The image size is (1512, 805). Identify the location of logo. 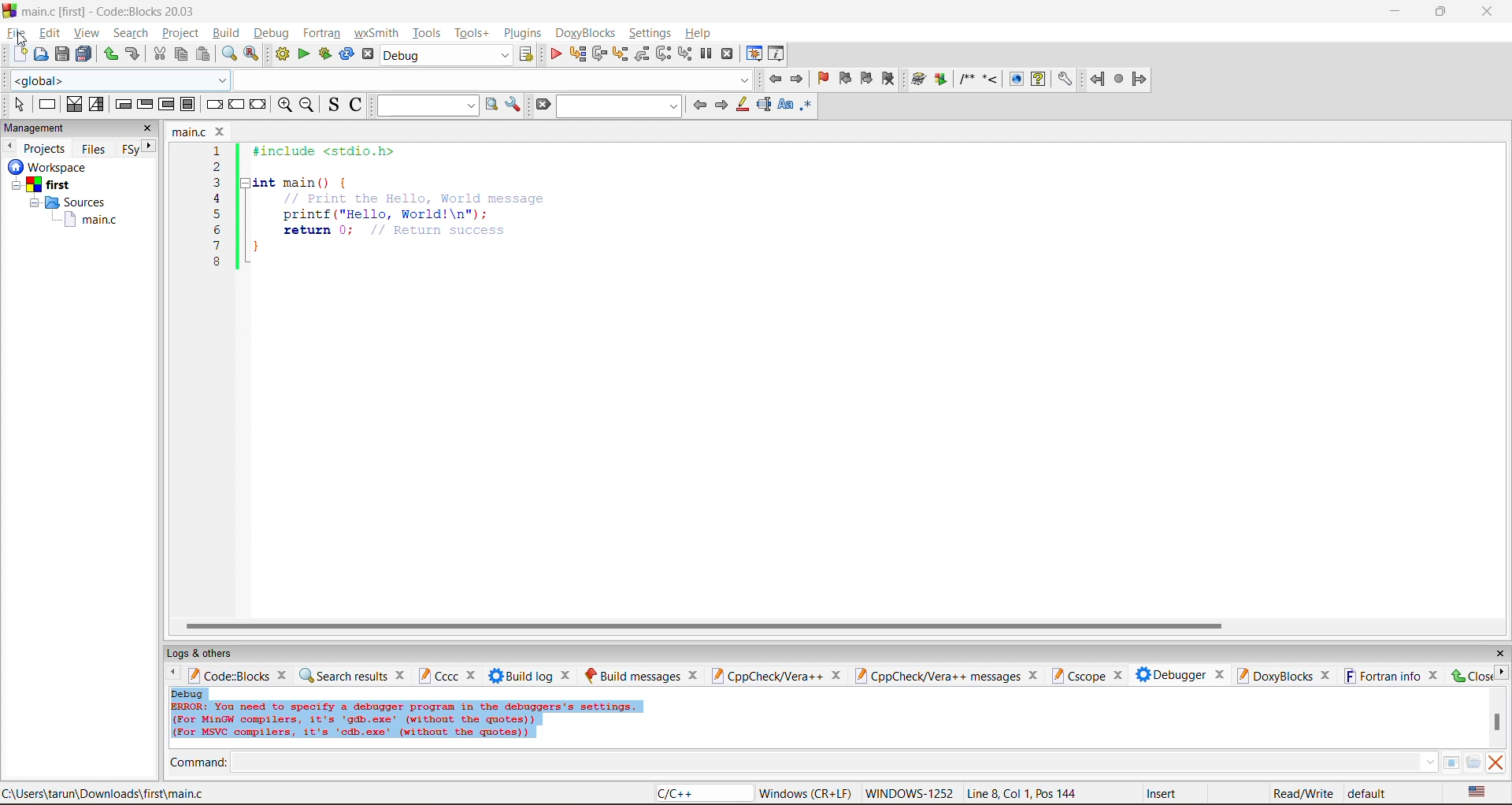
(9, 9).